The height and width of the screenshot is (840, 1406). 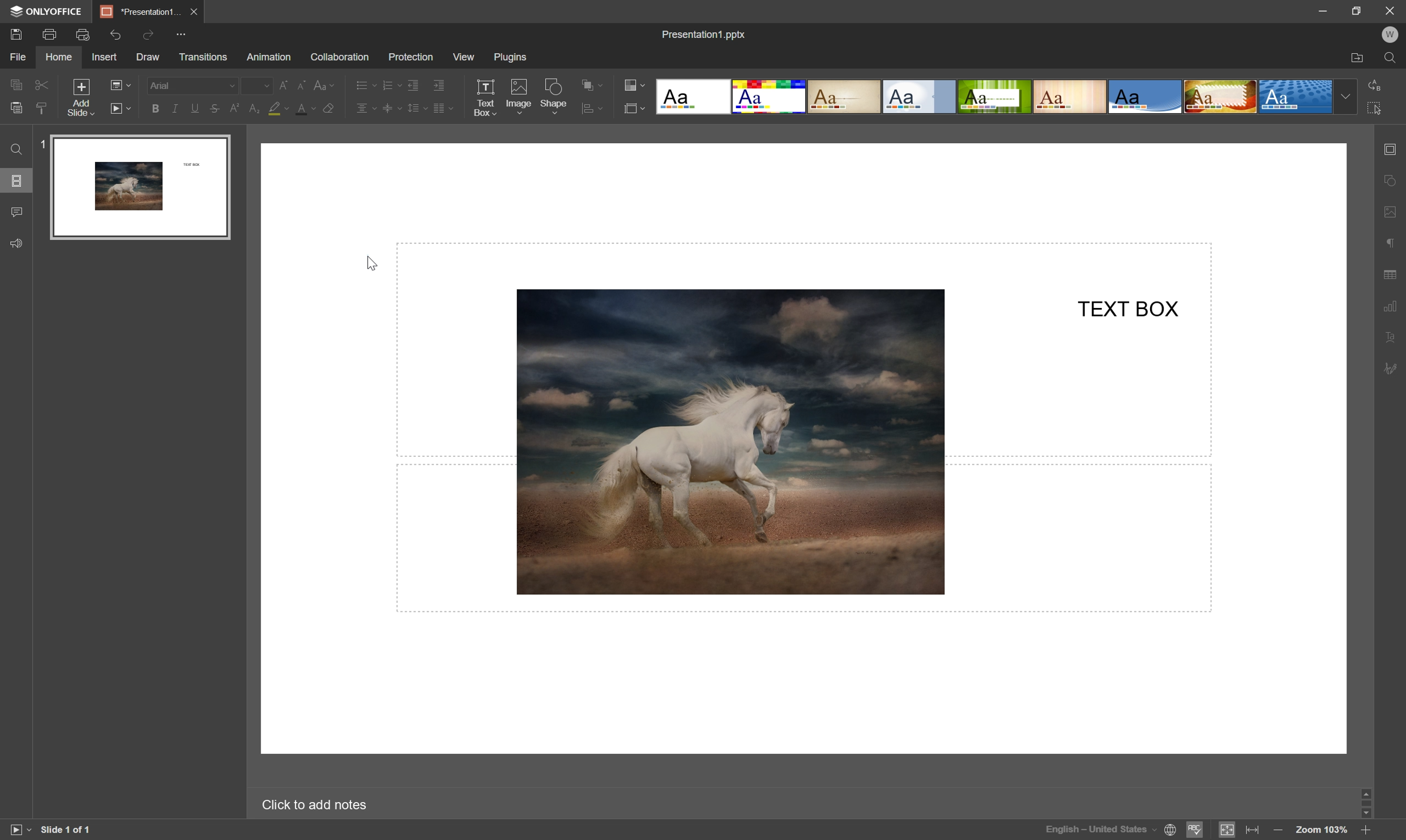 What do you see at coordinates (1322, 831) in the screenshot?
I see `zoom 100%` at bounding box center [1322, 831].